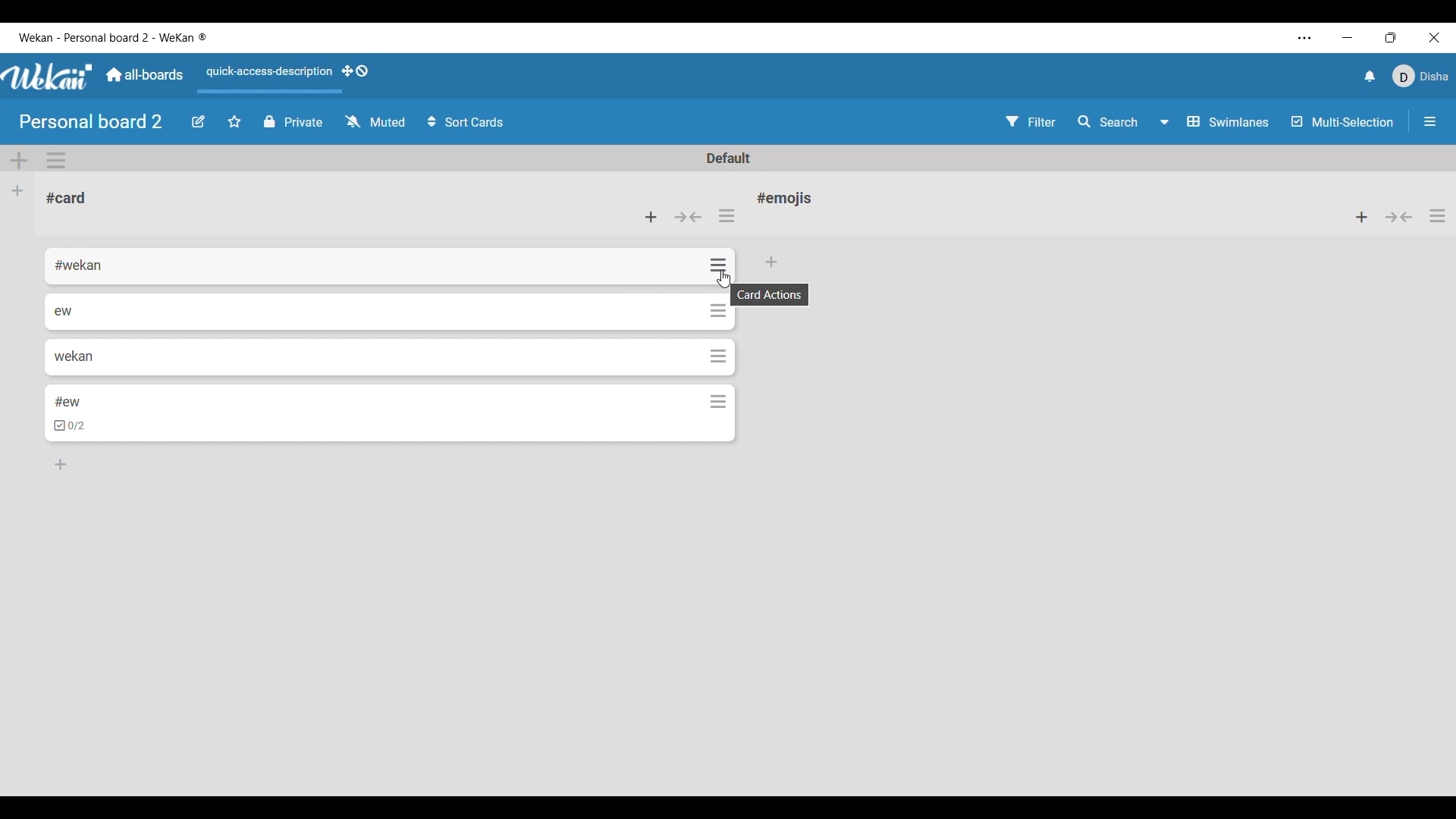  What do you see at coordinates (145, 74) in the screenshot?
I see `Go to common dashboard` at bounding box center [145, 74].